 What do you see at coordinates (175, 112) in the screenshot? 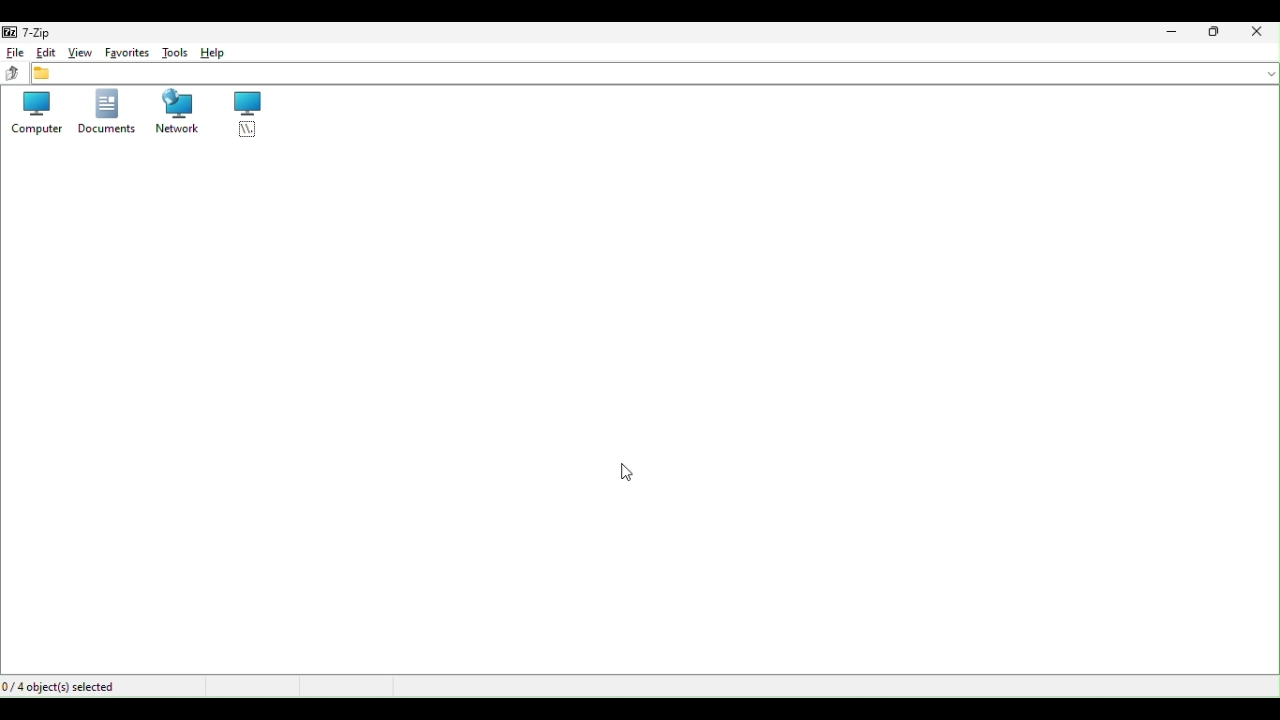
I see `Network` at bounding box center [175, 112].